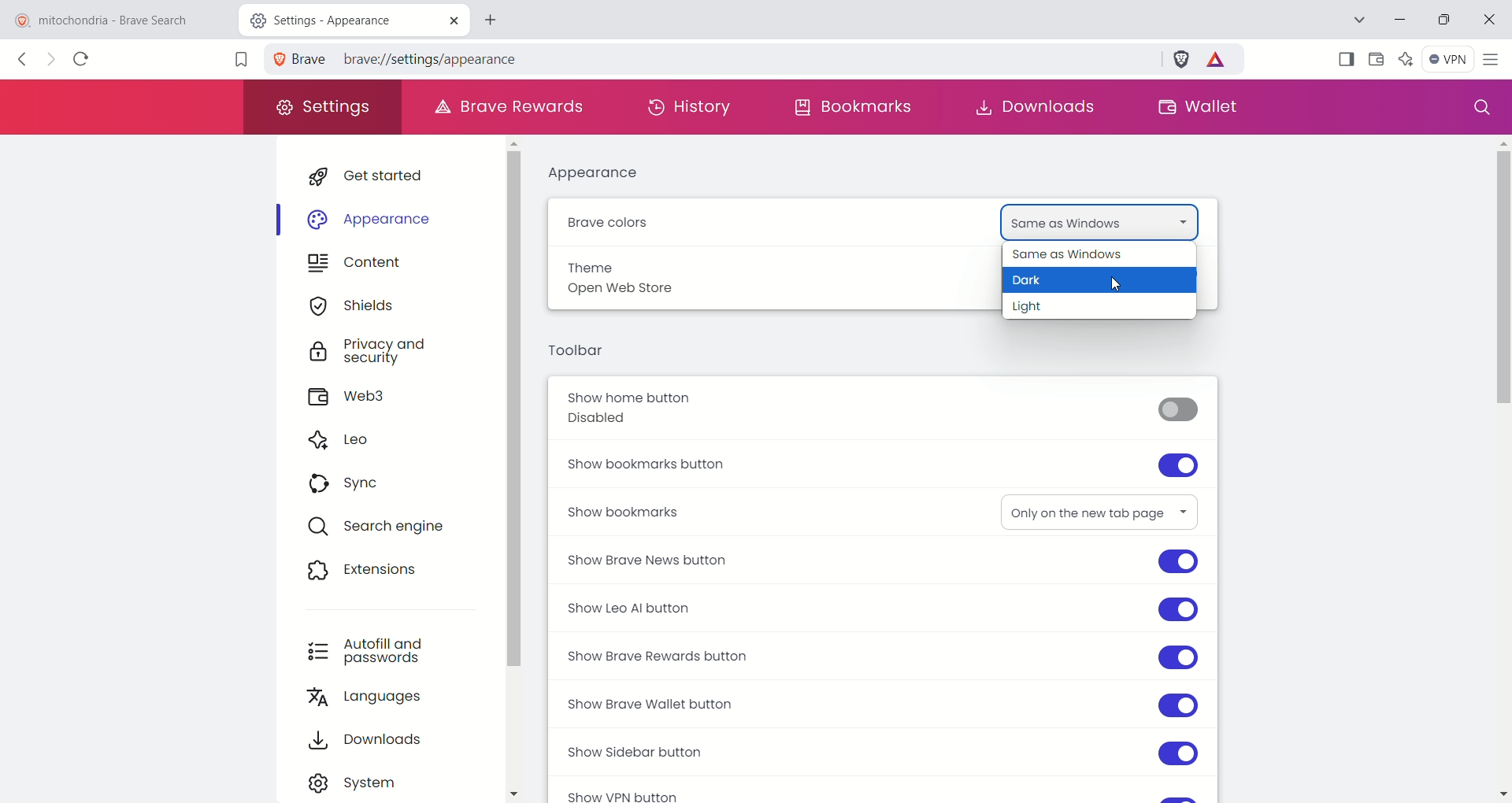  I want to click on vertical scroll bar, so click(1499, 469).